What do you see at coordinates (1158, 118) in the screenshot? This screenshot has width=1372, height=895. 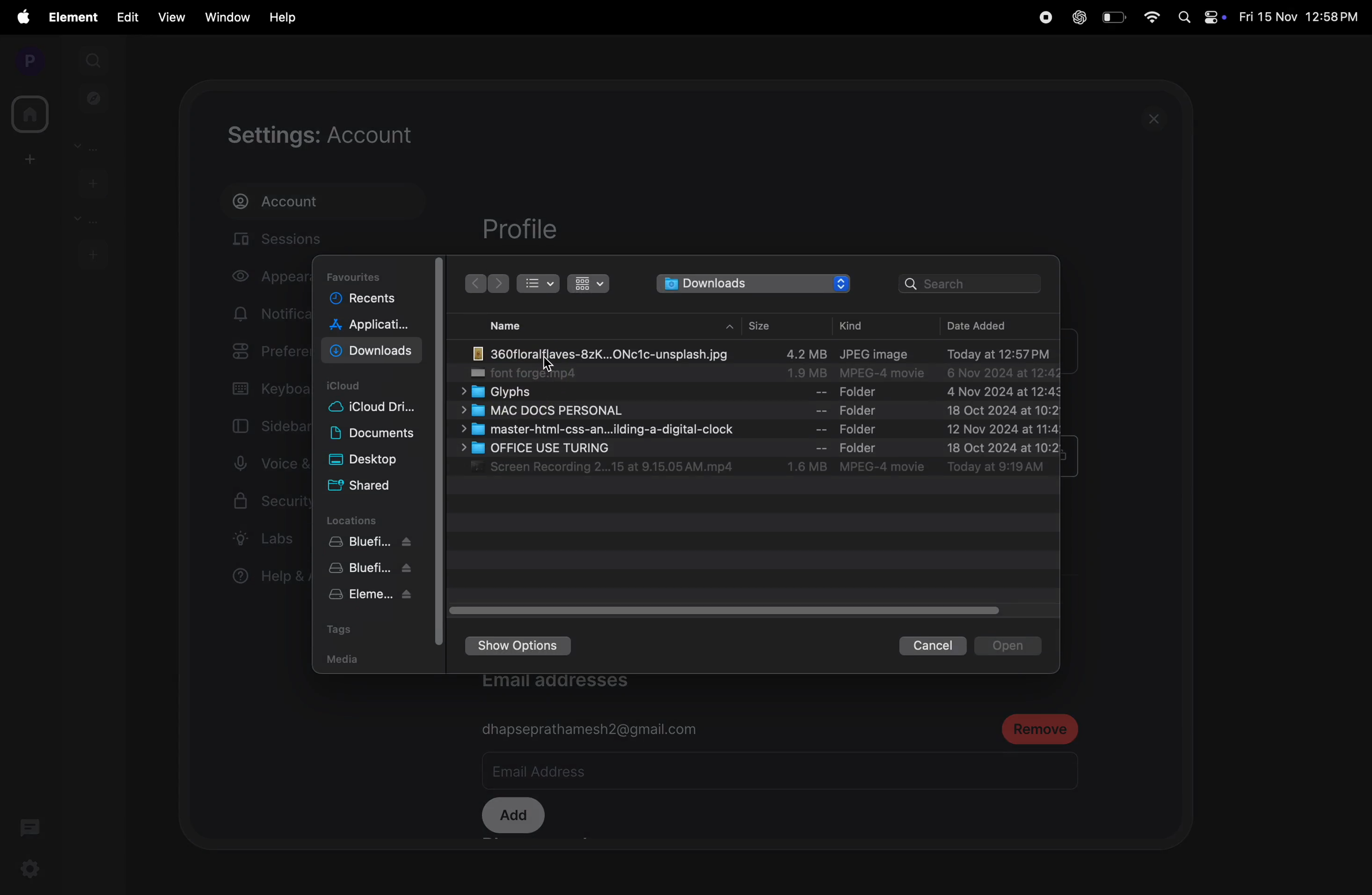 I see `close` at bounding box center [1158, 118].